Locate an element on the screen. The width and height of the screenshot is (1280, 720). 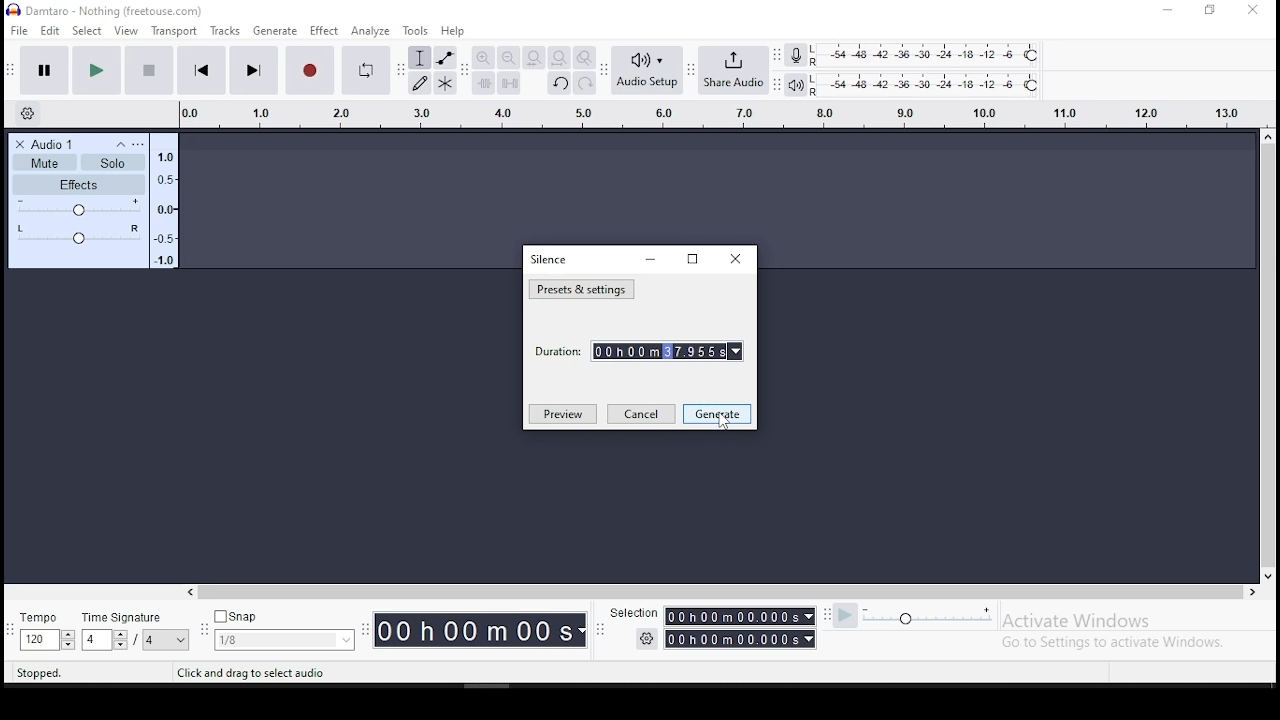
play is located at coordinates (97, 70).